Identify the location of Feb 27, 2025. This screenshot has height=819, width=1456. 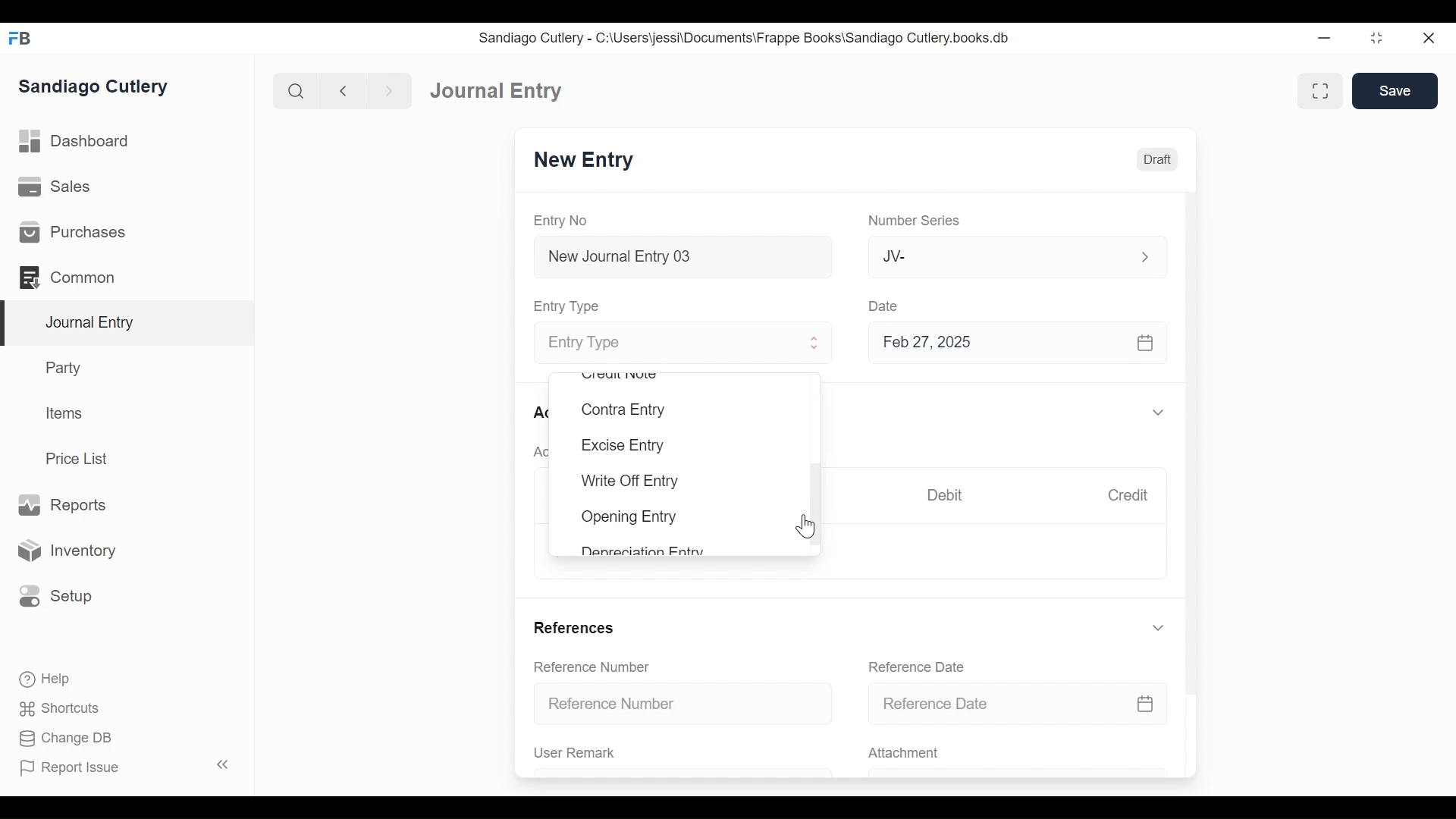
(1015, 344).